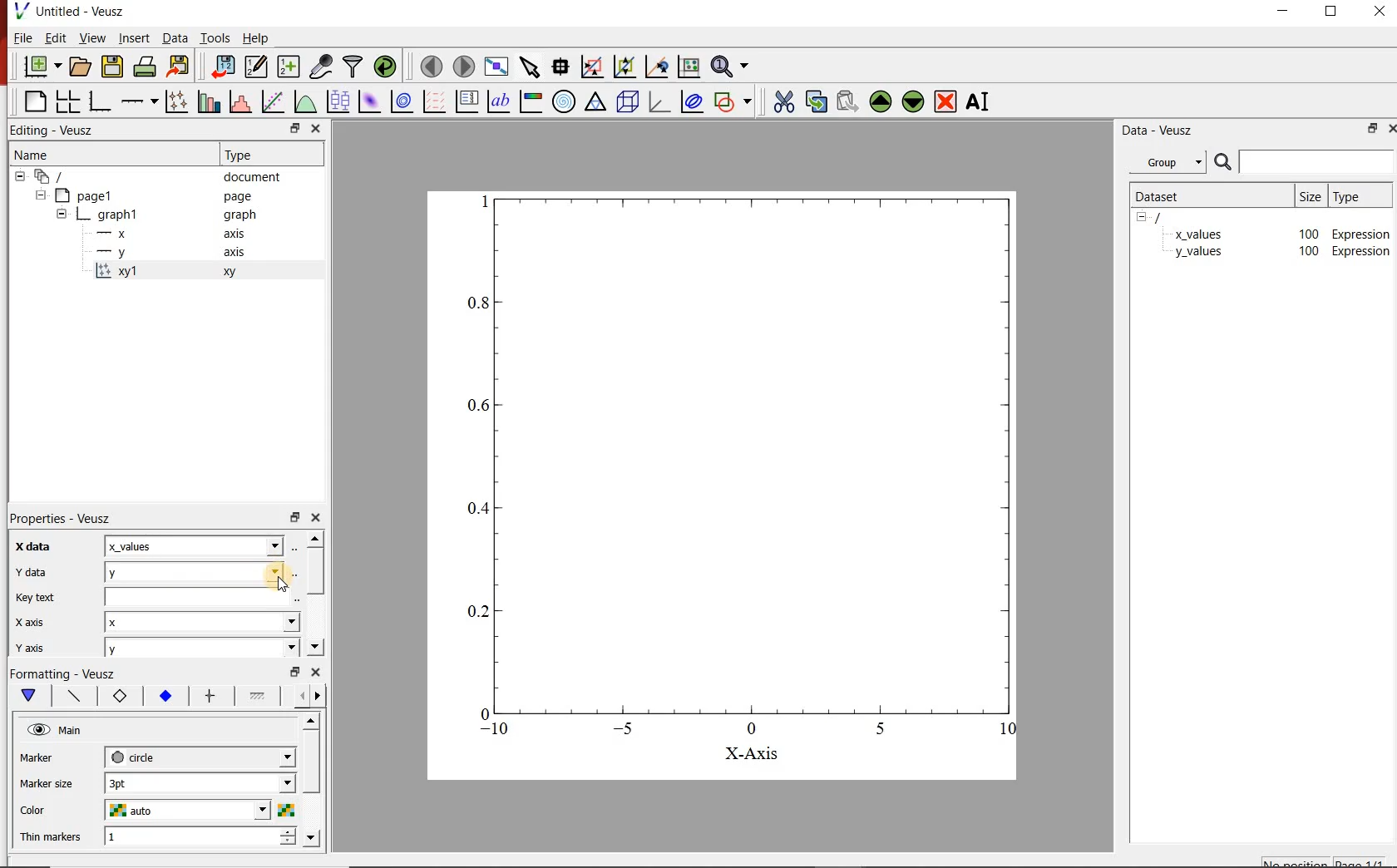 The height and width of the screenshot is (868, 1397). Describe the element at coordinates (660, 104) in the screenshot. I see `3d graph` at that location.